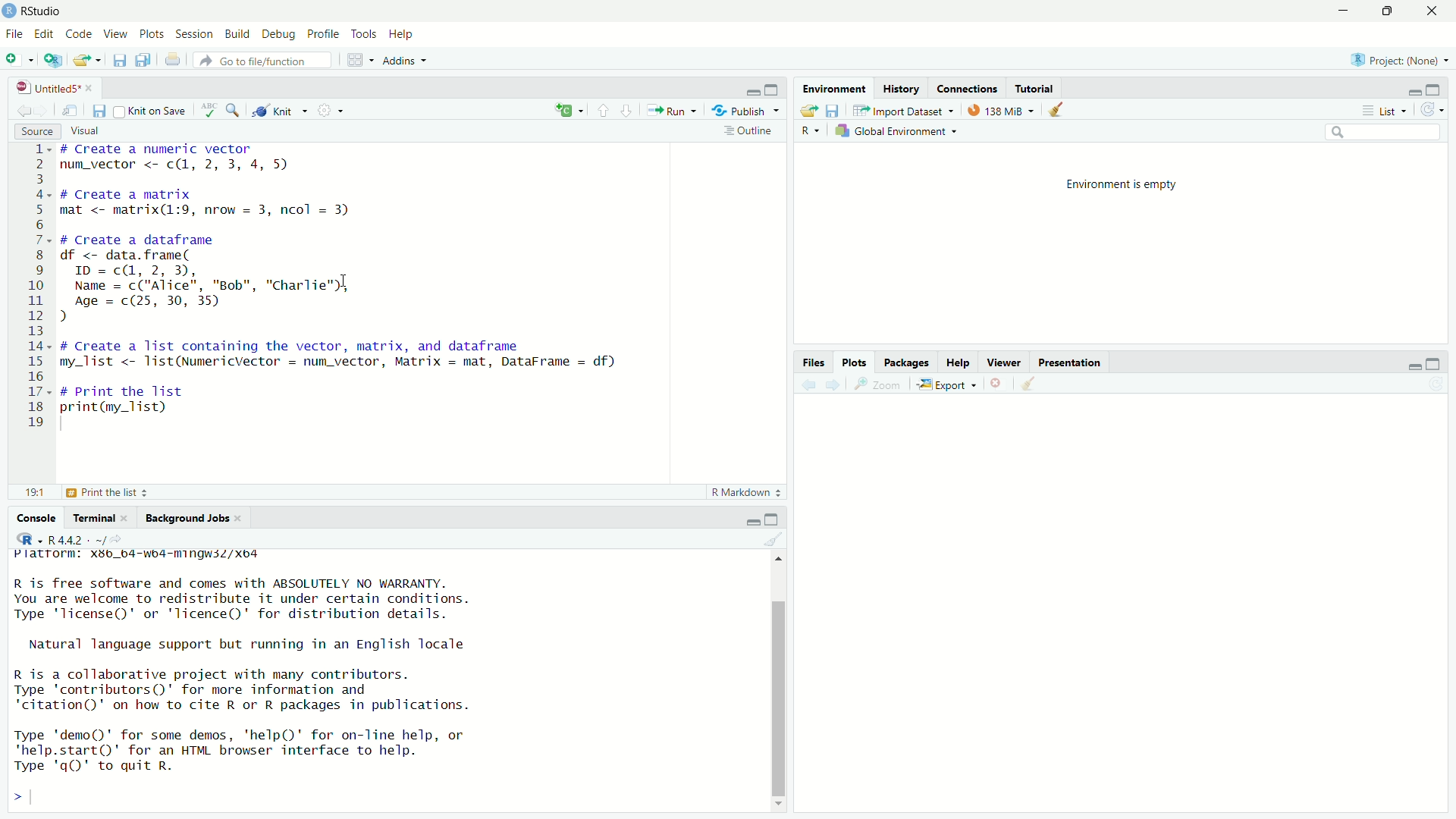  I want to click on Source., so click(29, 130).